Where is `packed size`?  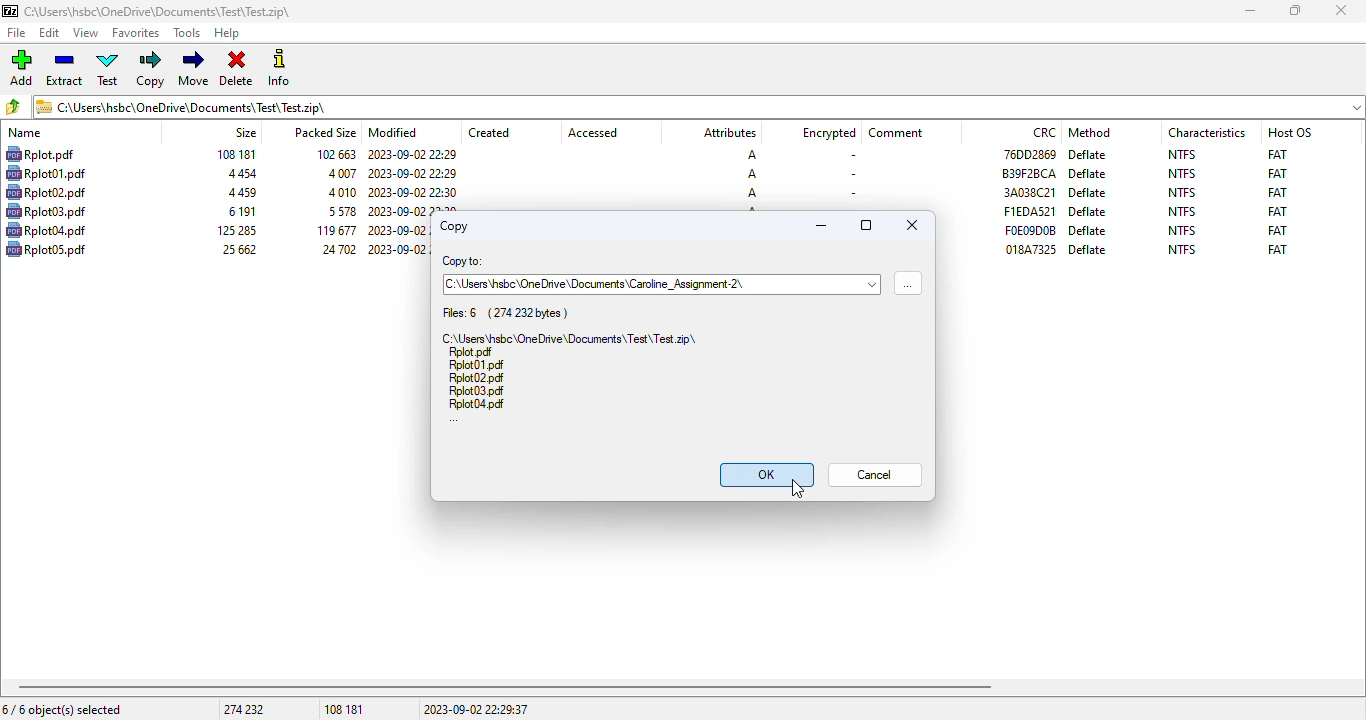 packed size is located at coordinates (340, 192).